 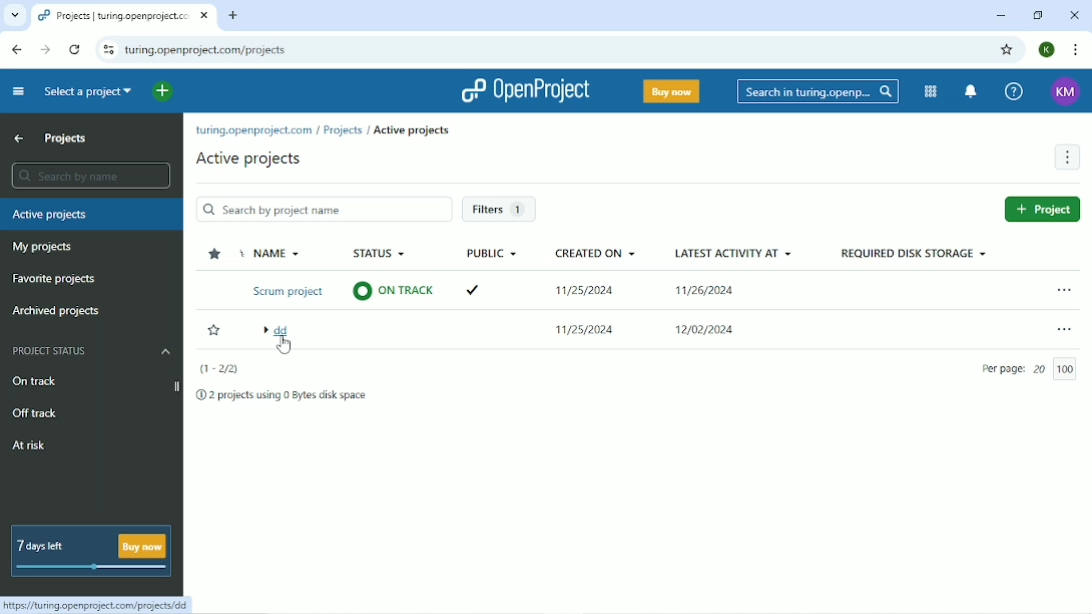 What do you see at coordinates (519, 90) in the screenshot?
I see `OpenProject` at bounding box center [519, 90].